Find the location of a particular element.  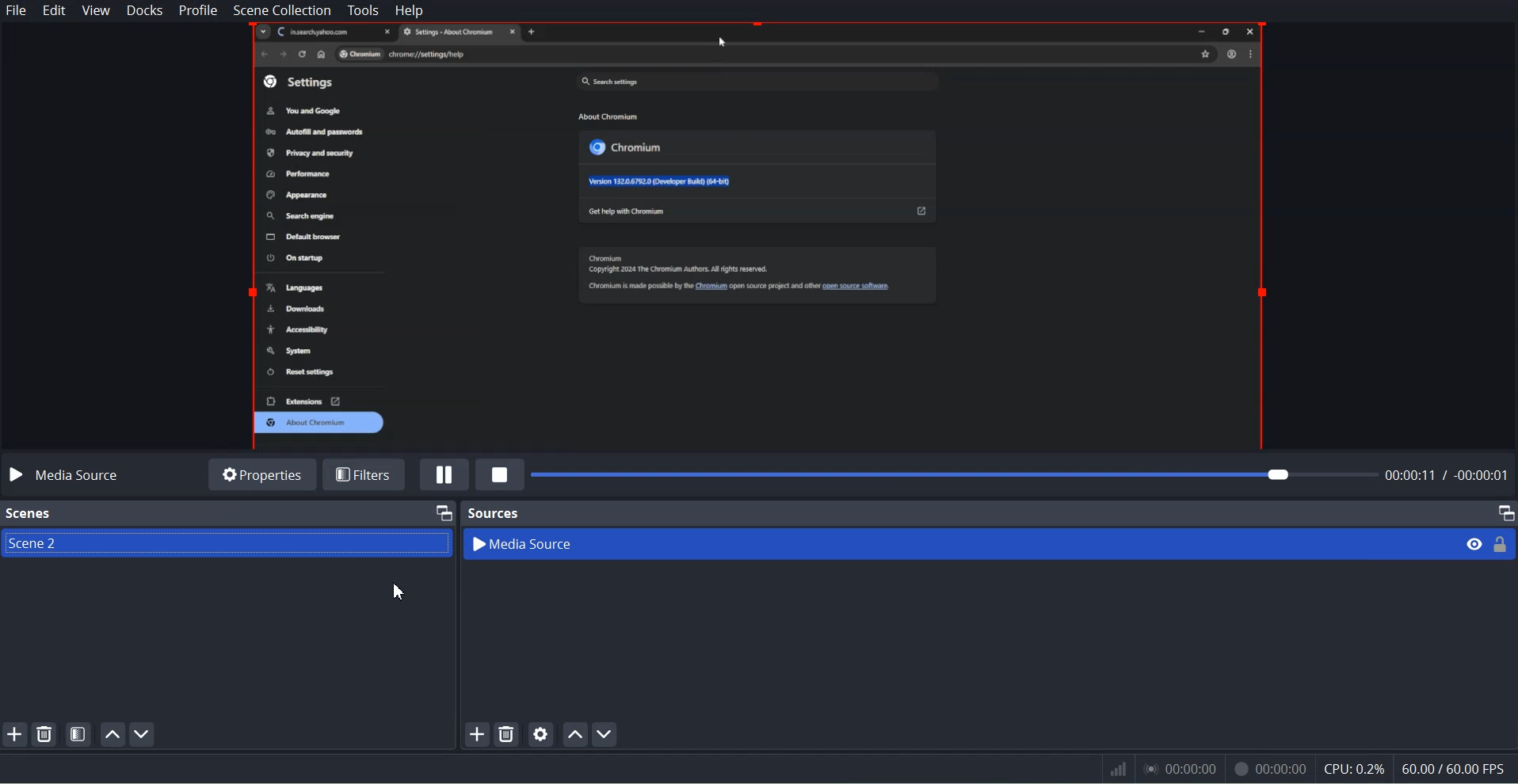

Filters is located at coordinates (367, 473).